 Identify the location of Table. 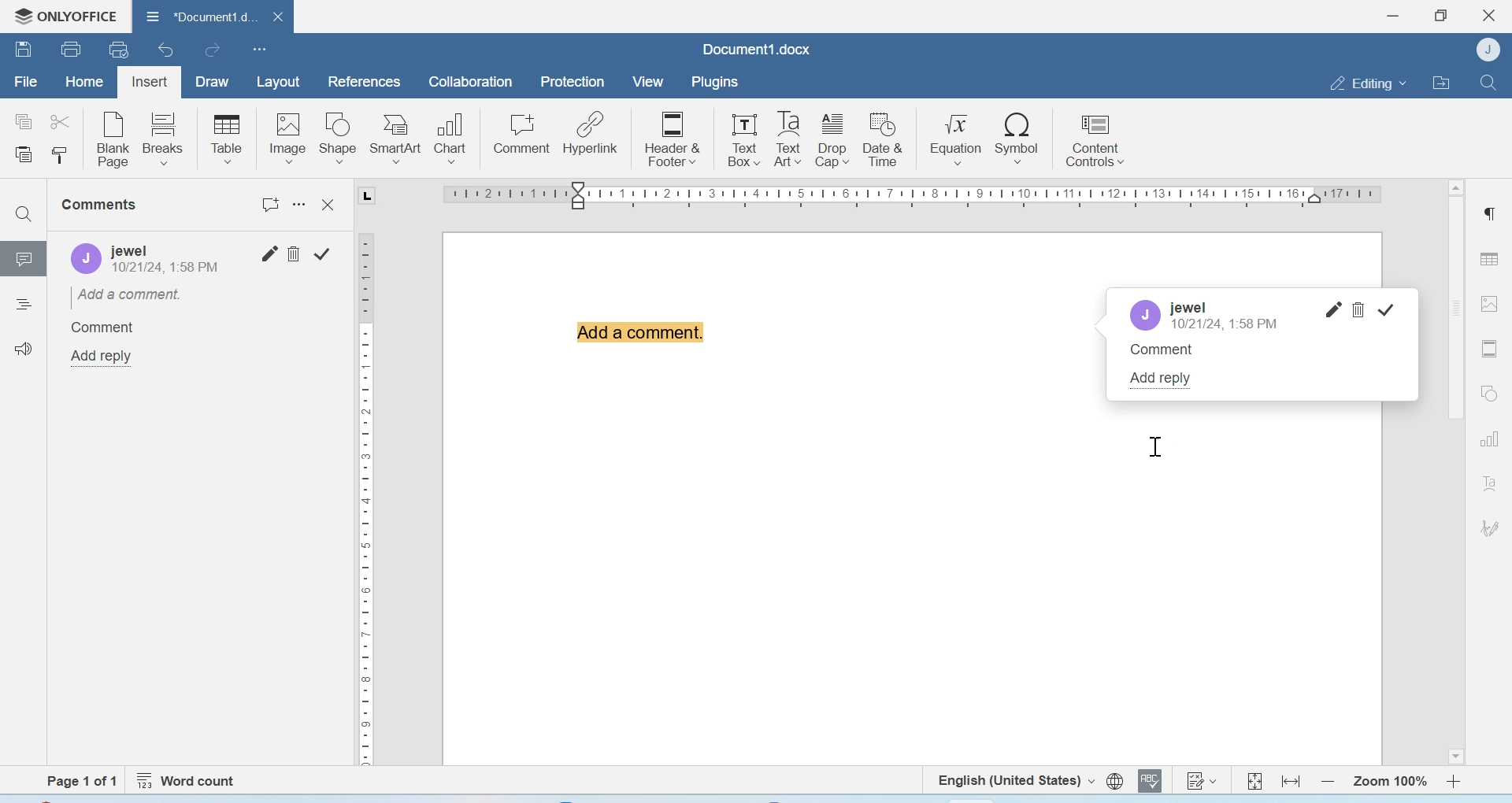
(1489, 258).